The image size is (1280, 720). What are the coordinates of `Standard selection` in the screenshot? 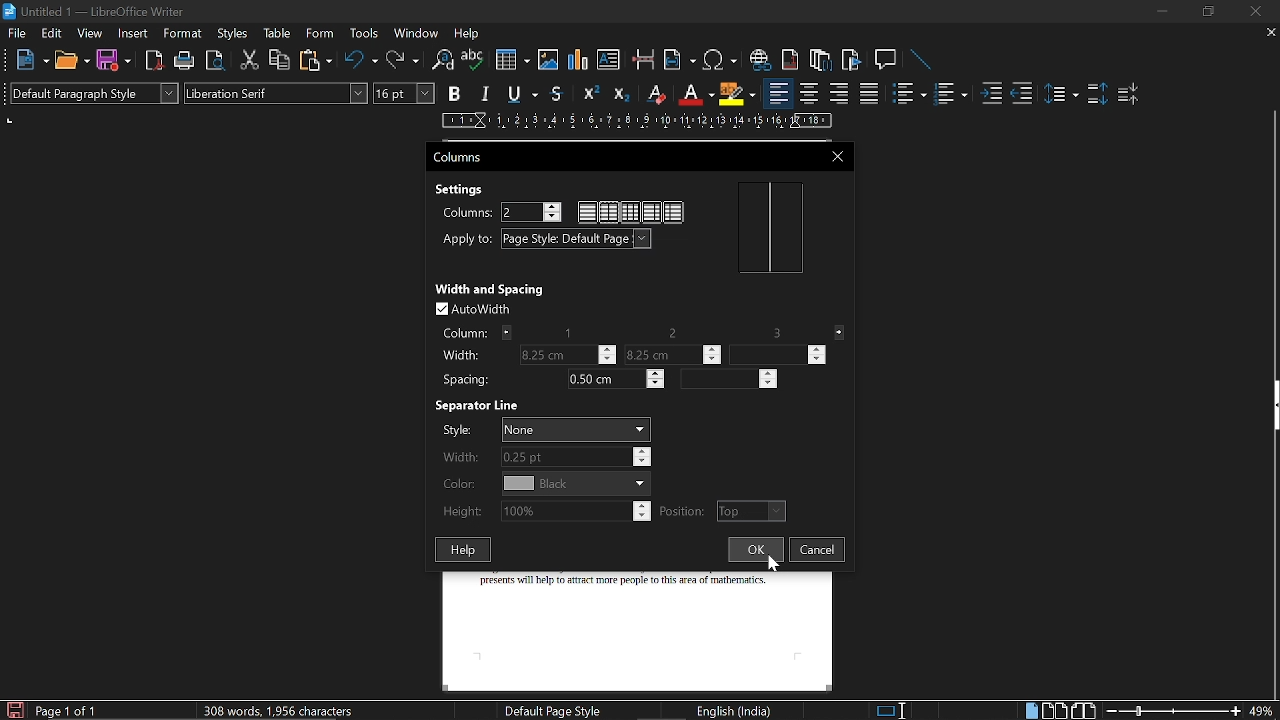 It's located at (891, 710).